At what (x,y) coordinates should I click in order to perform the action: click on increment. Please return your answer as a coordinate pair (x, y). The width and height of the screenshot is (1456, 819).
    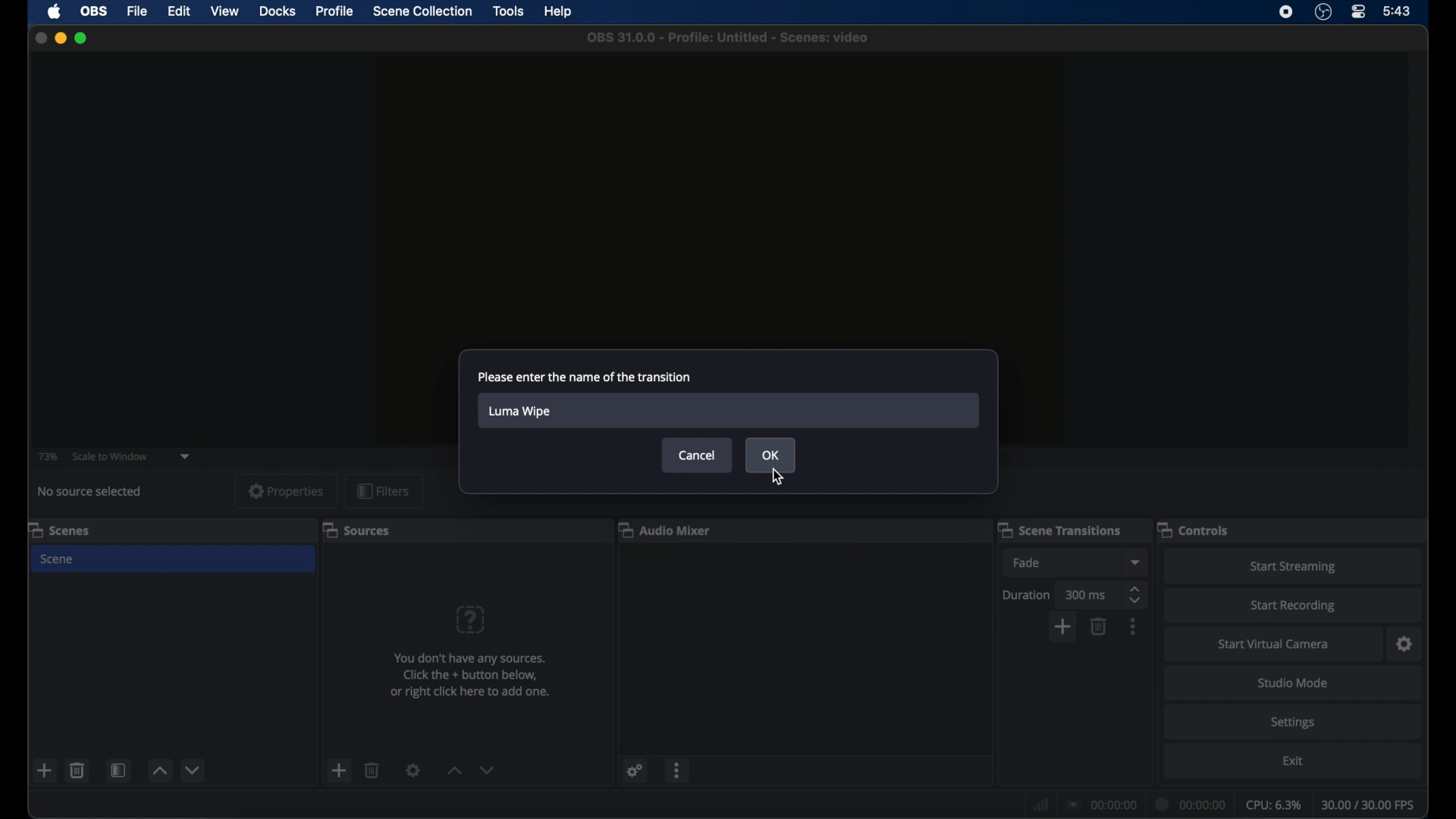
    Looking at the image, I should click on (455, 770).